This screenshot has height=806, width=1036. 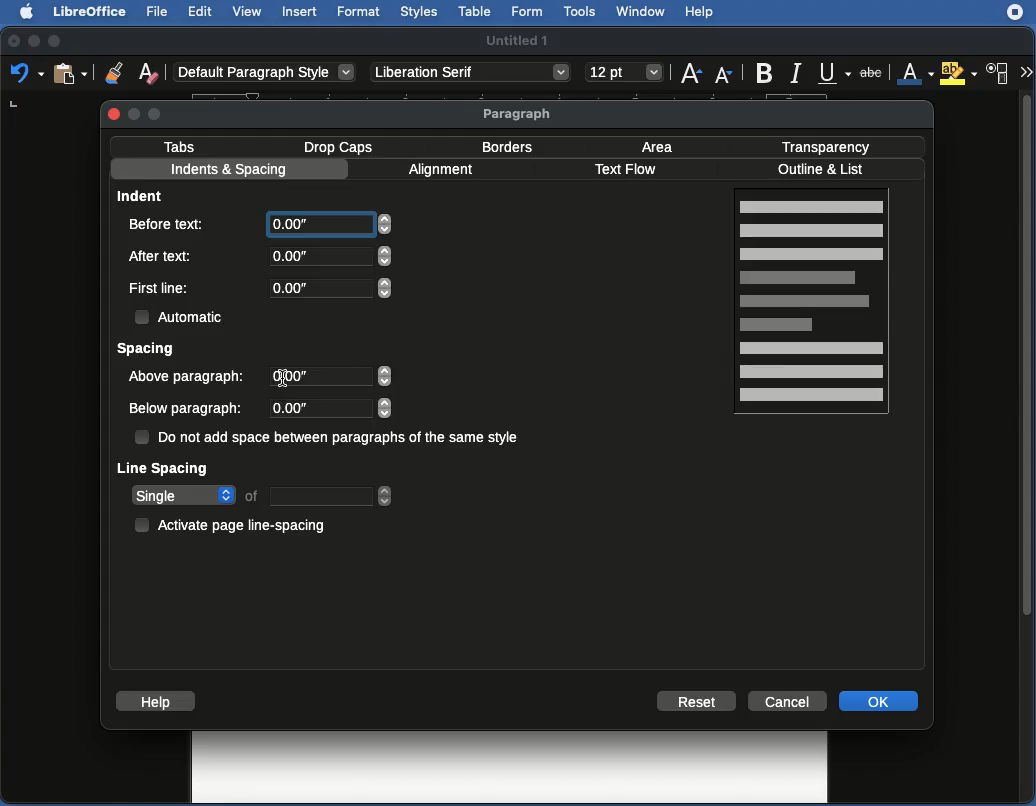 I want to click on First line, so click(x=161, y=289).